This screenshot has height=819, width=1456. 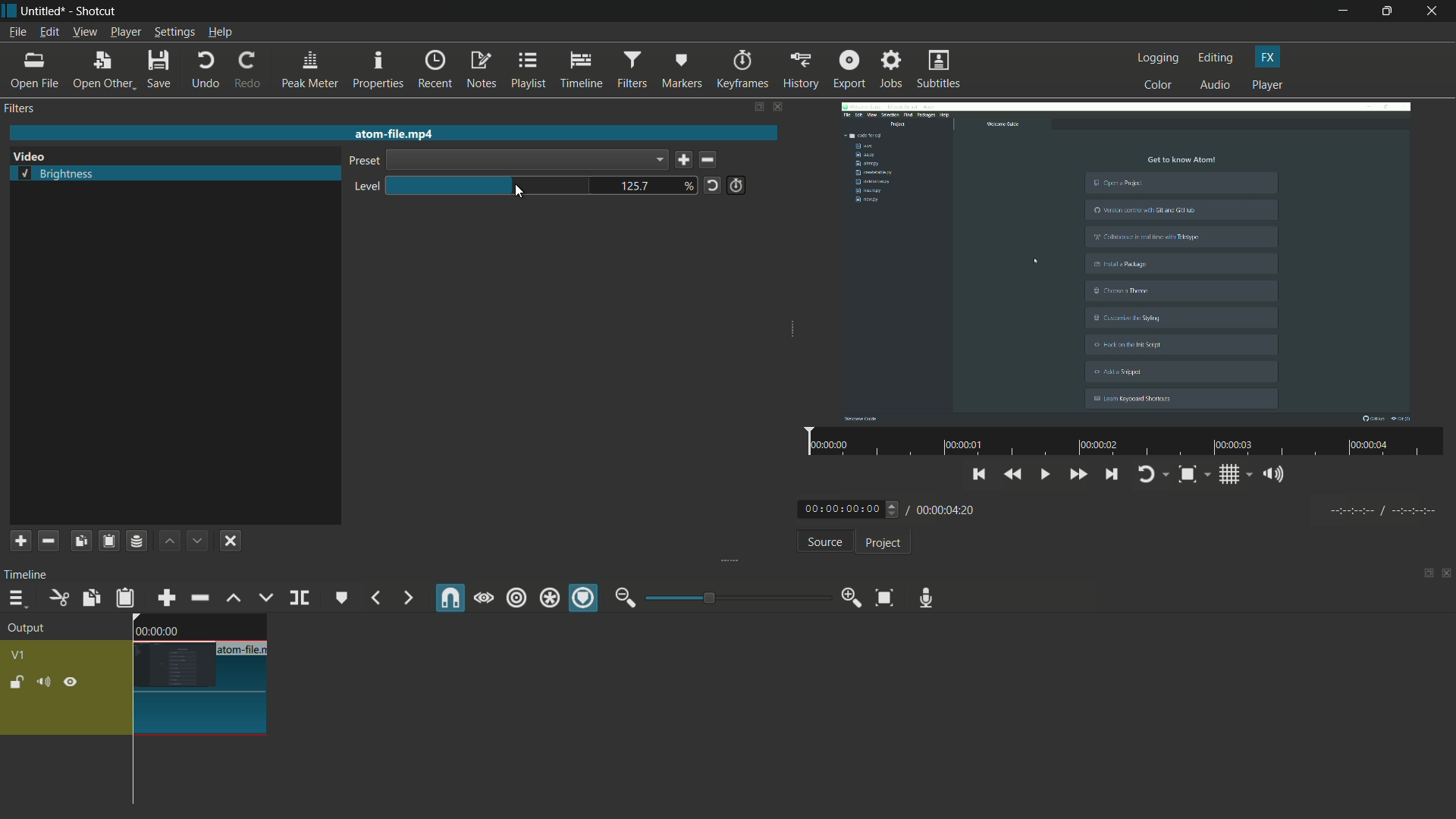 I want to click on close panel, so click(x=1447, y=575).